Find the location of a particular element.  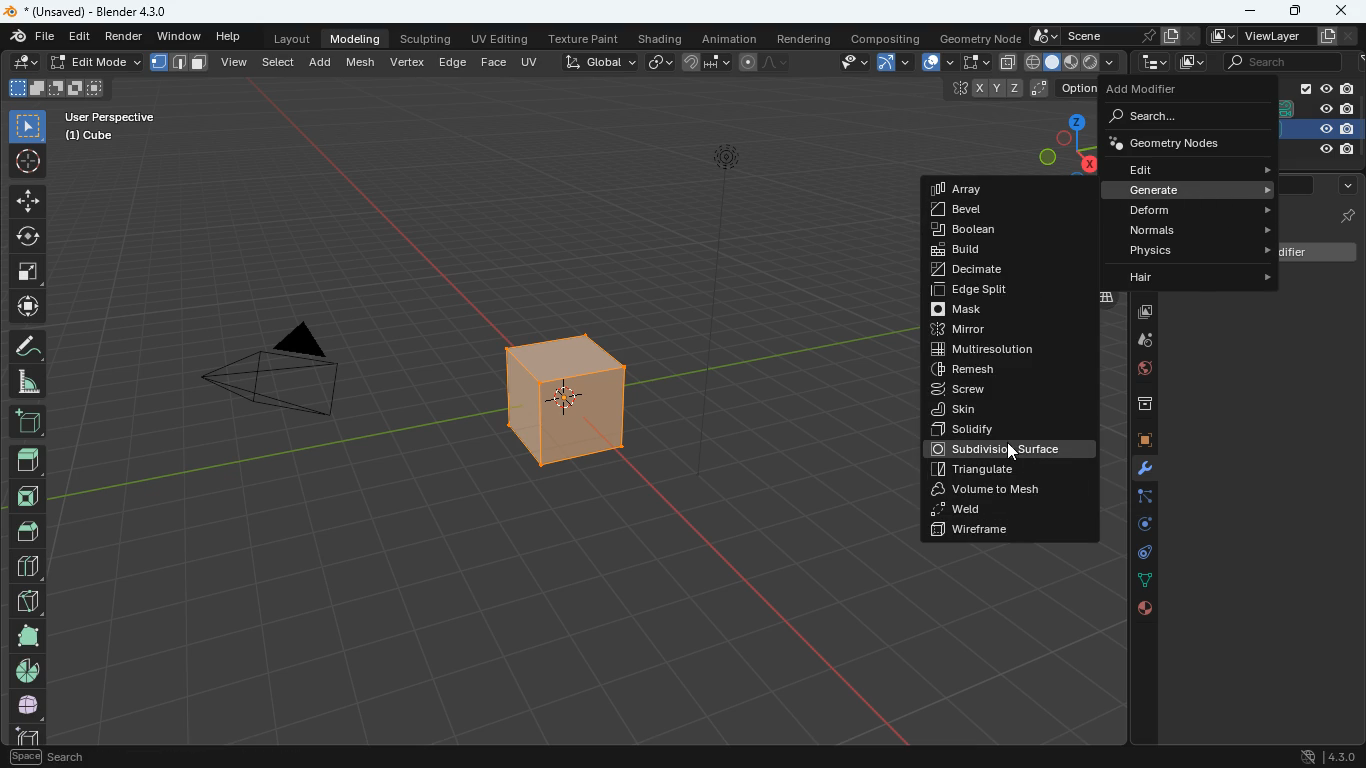

screw is located at coordinates (999, 391).